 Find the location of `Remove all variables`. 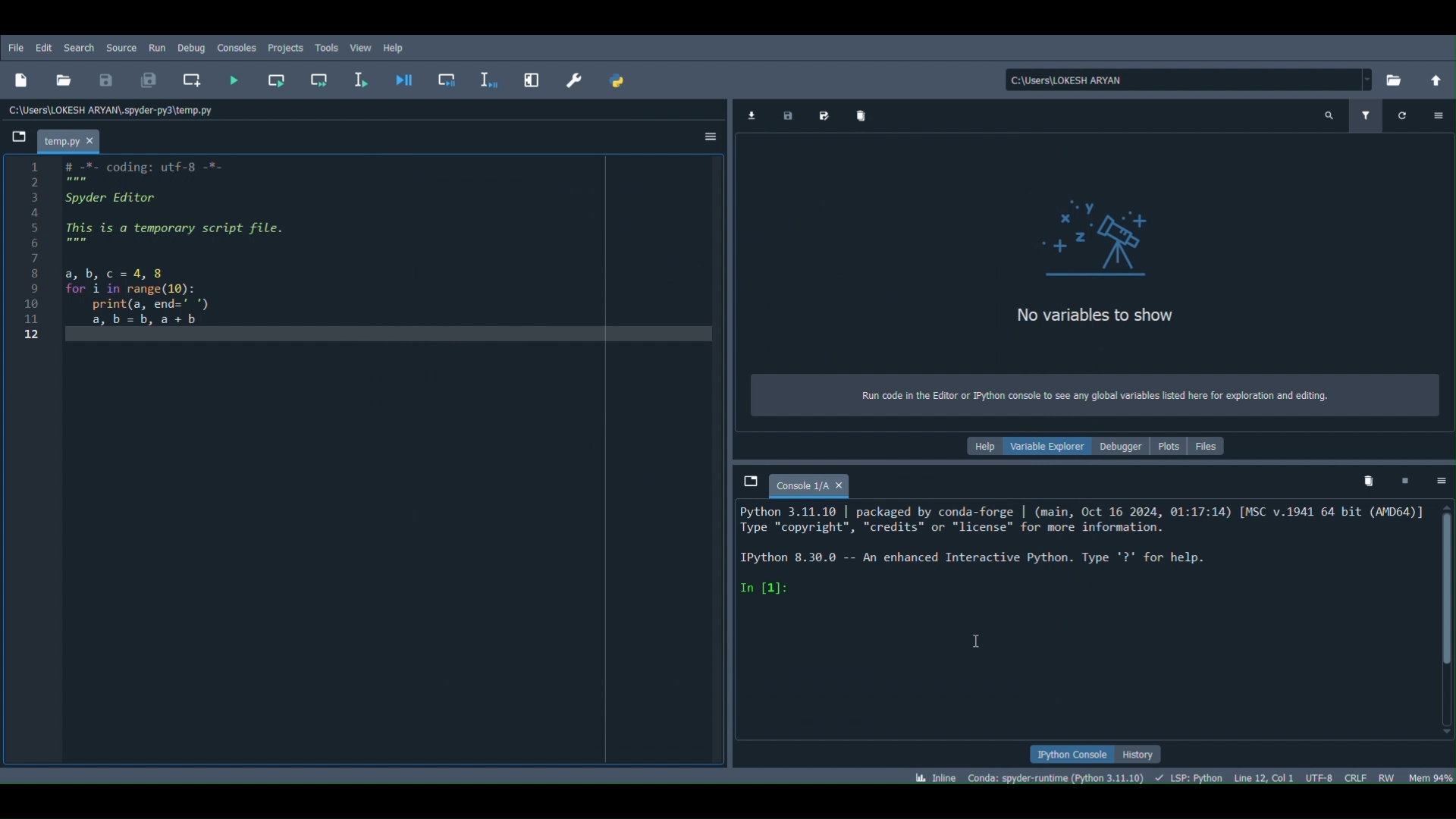

Remove all variables is located at coordinates (871, 116).